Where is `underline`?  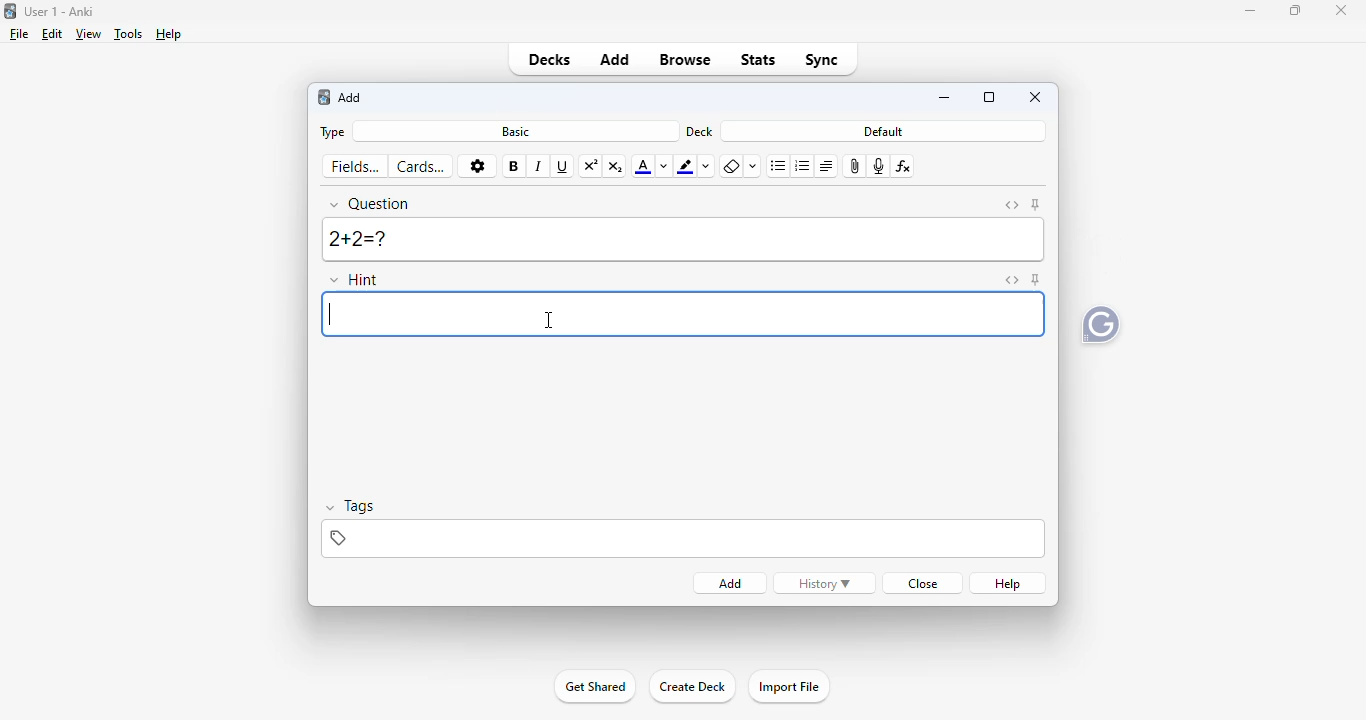 underline is located at coordinates (563, 167).